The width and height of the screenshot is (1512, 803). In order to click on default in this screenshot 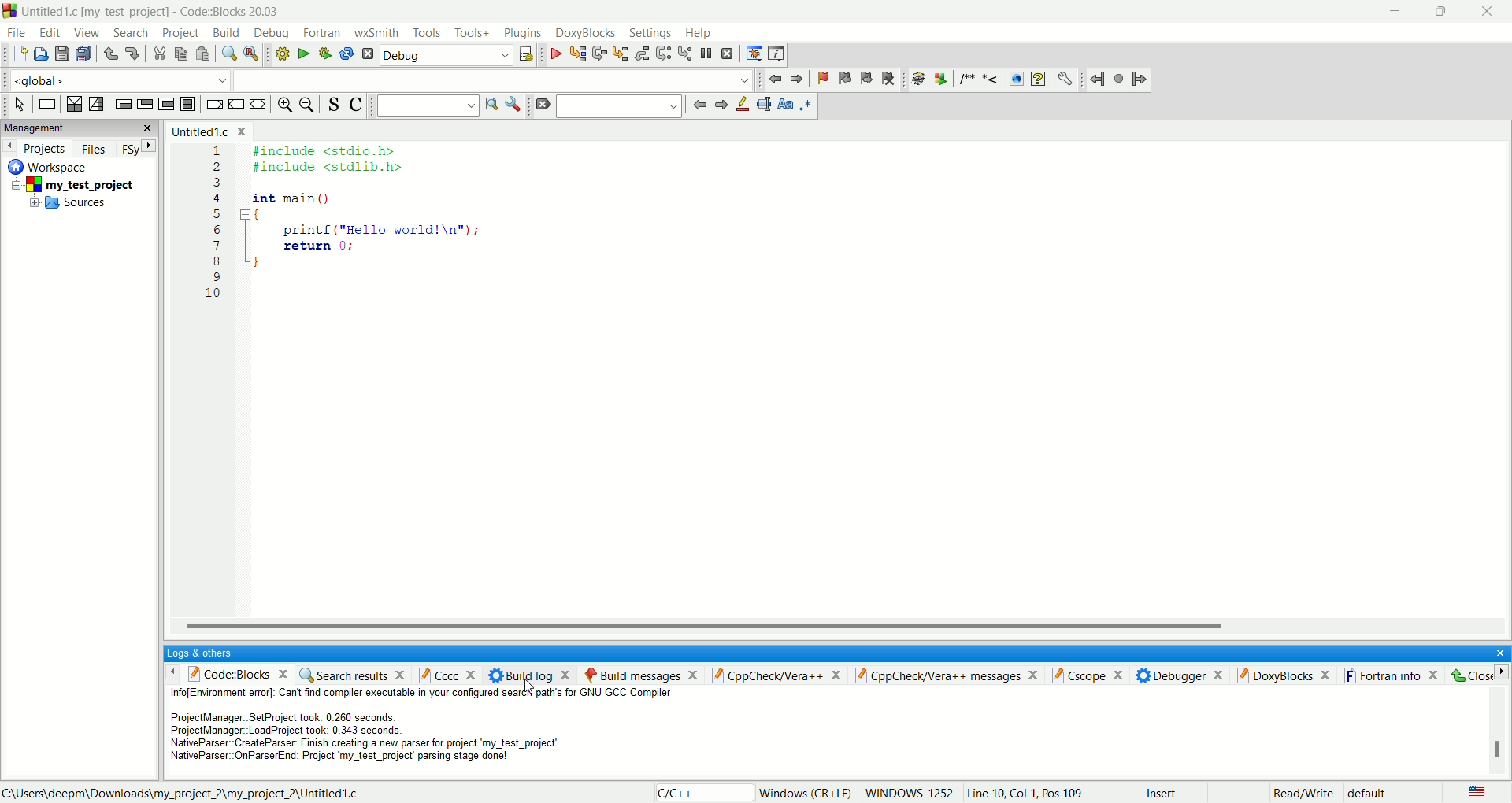, I will do `click(1369, 794)`.